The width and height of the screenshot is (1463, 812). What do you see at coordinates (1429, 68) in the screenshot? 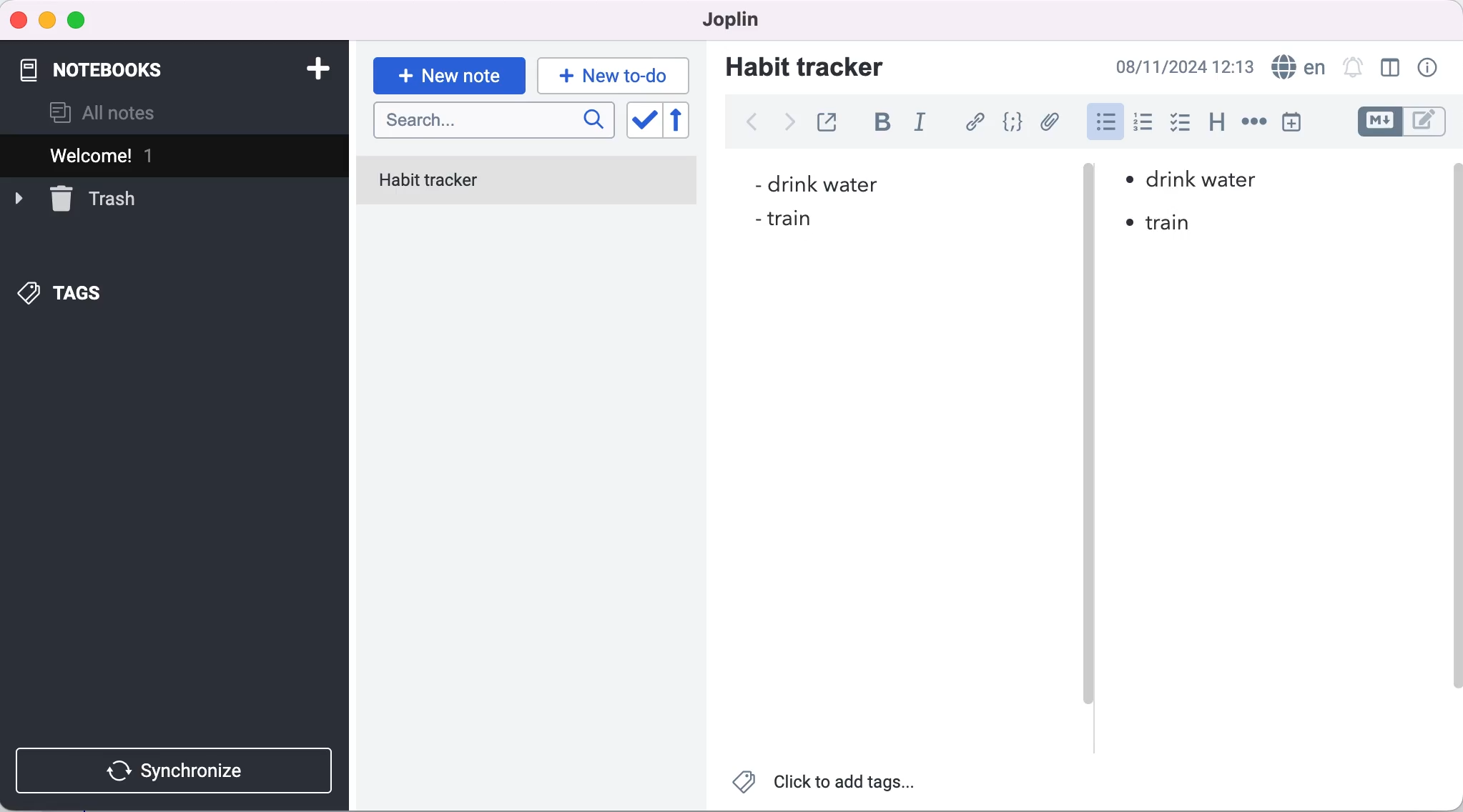
I see `note properties` at bounding box center [1429, 68].